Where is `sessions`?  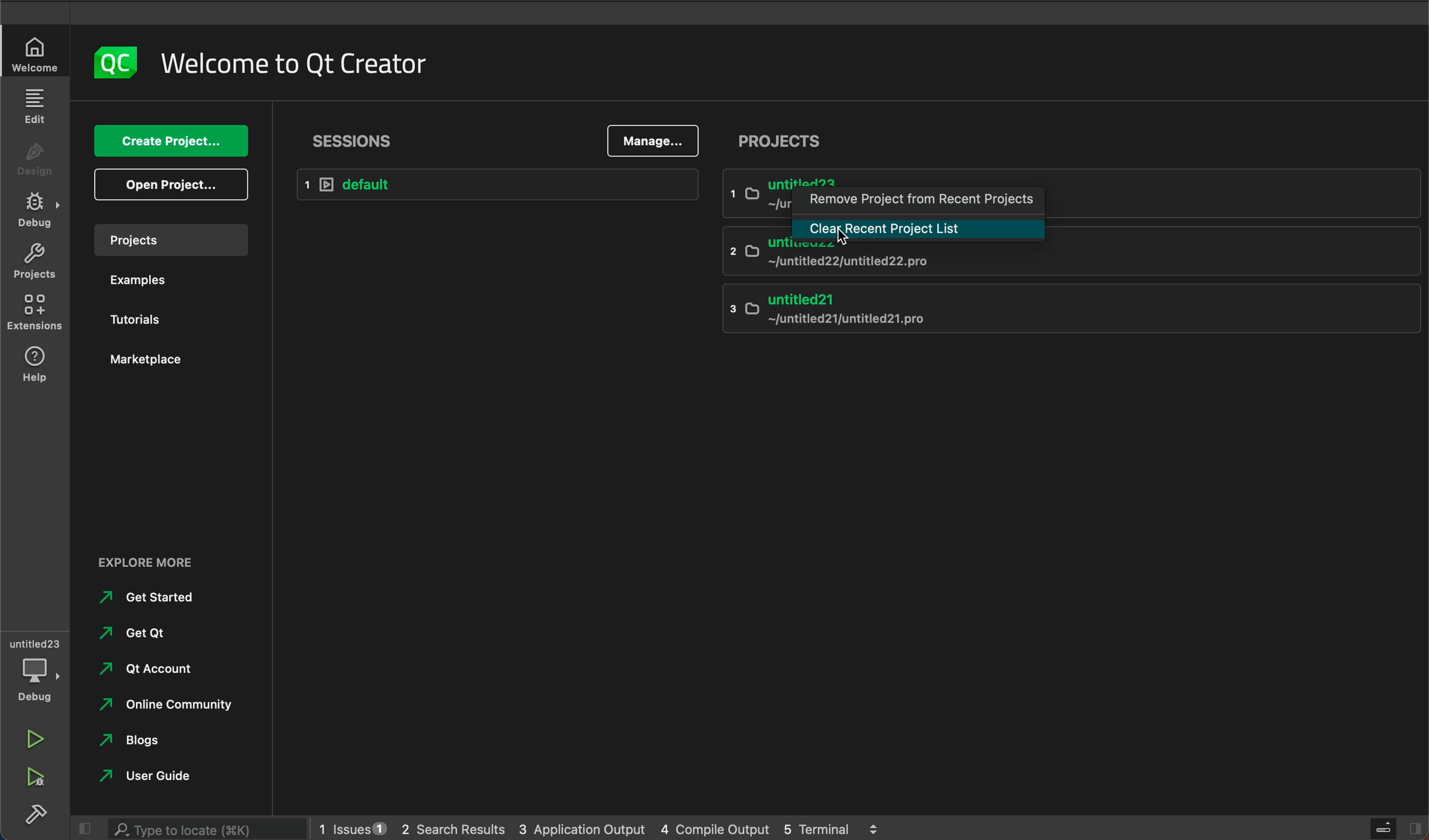 sessions is located at coordinates (364, 138).